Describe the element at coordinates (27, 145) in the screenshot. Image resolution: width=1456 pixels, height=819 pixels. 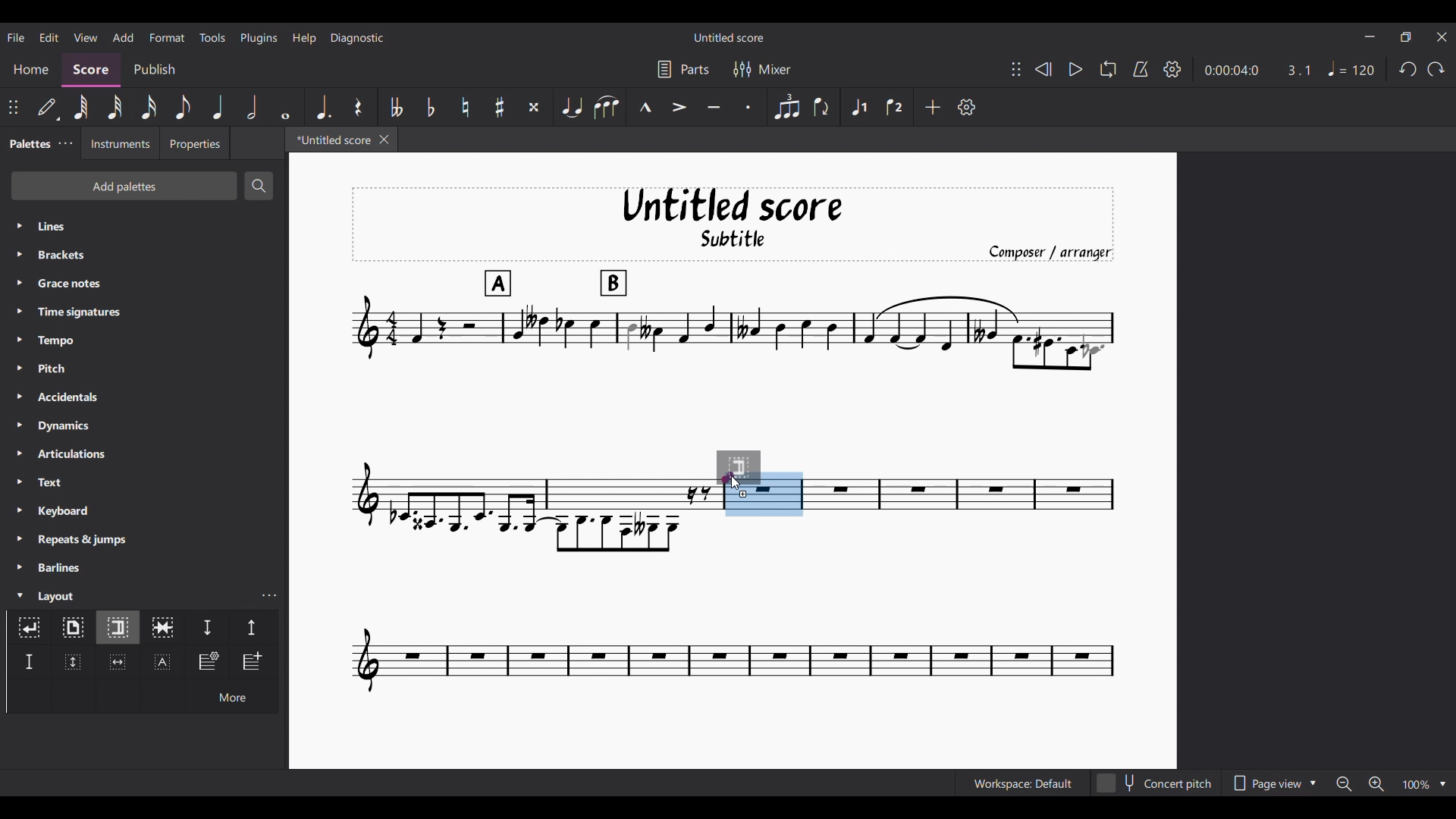
I see `Palettes` at that location.